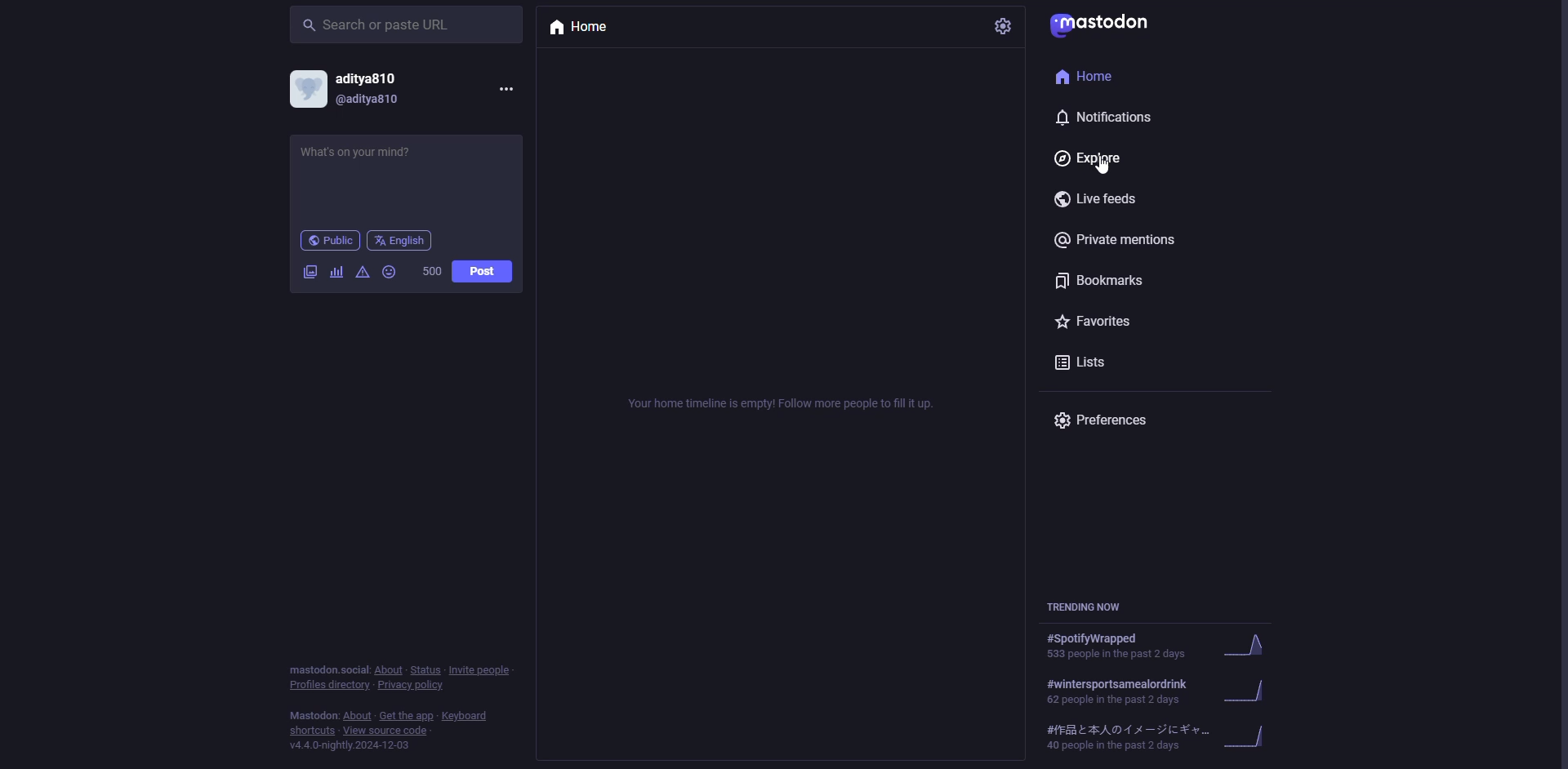 The image size is (1568, 769). Describe the element at coordinates (432, 271) in the screenshot. I see `500` at that location.